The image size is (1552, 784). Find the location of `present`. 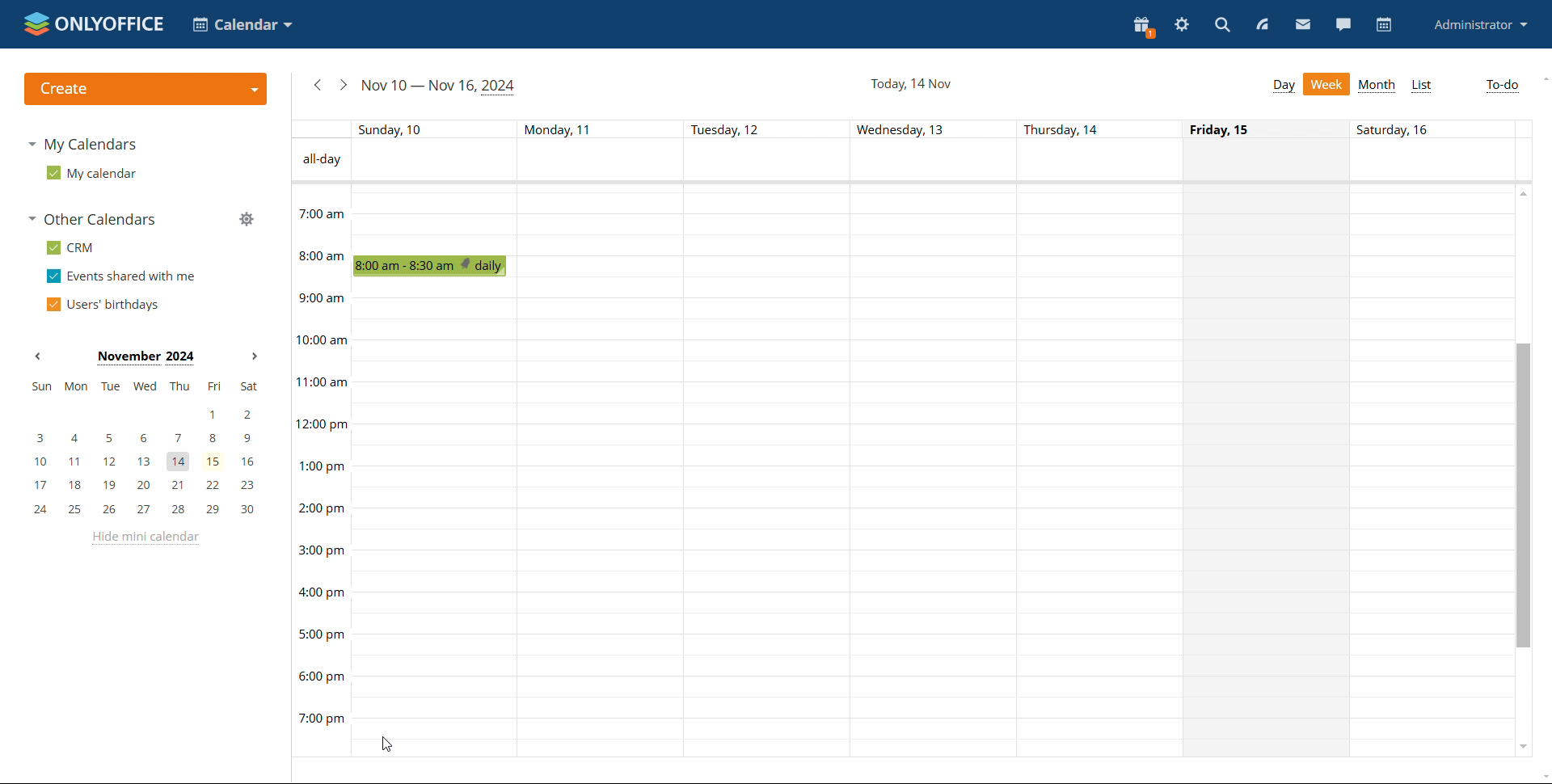

present is located at coordinates (1144, 27).